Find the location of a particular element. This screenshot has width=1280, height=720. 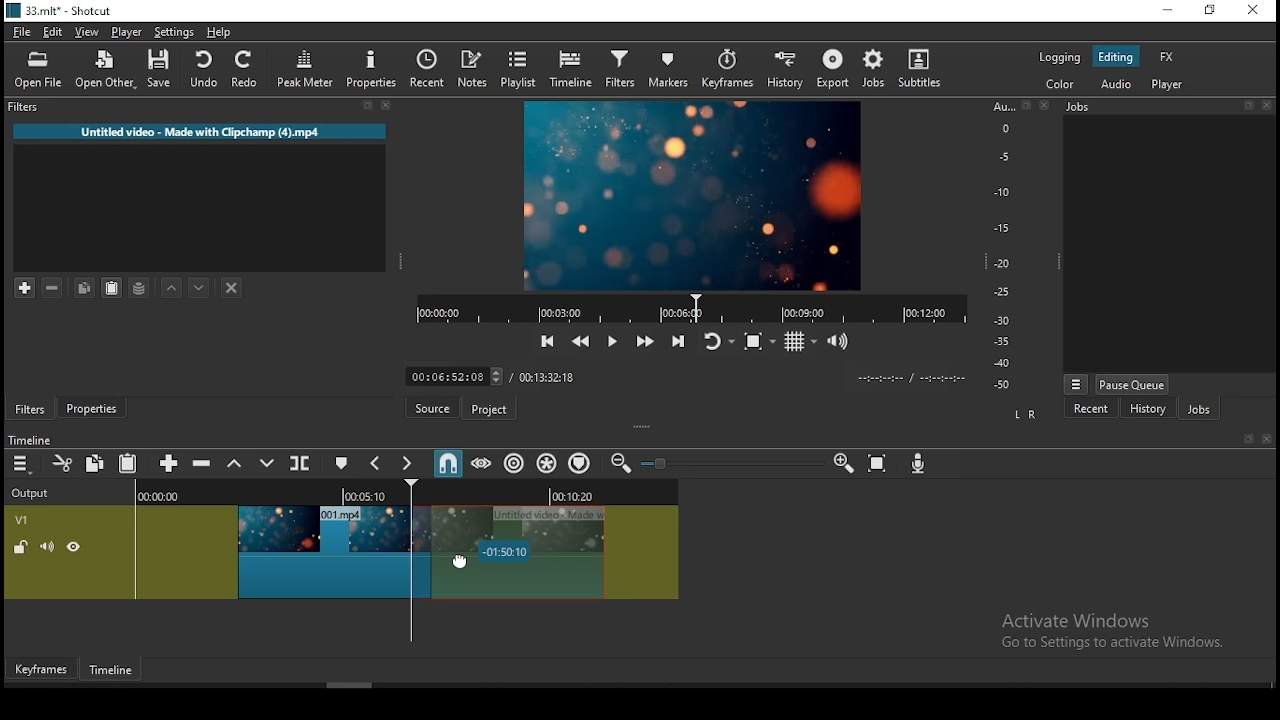

pause queue is located at coordinates (1132, 383).